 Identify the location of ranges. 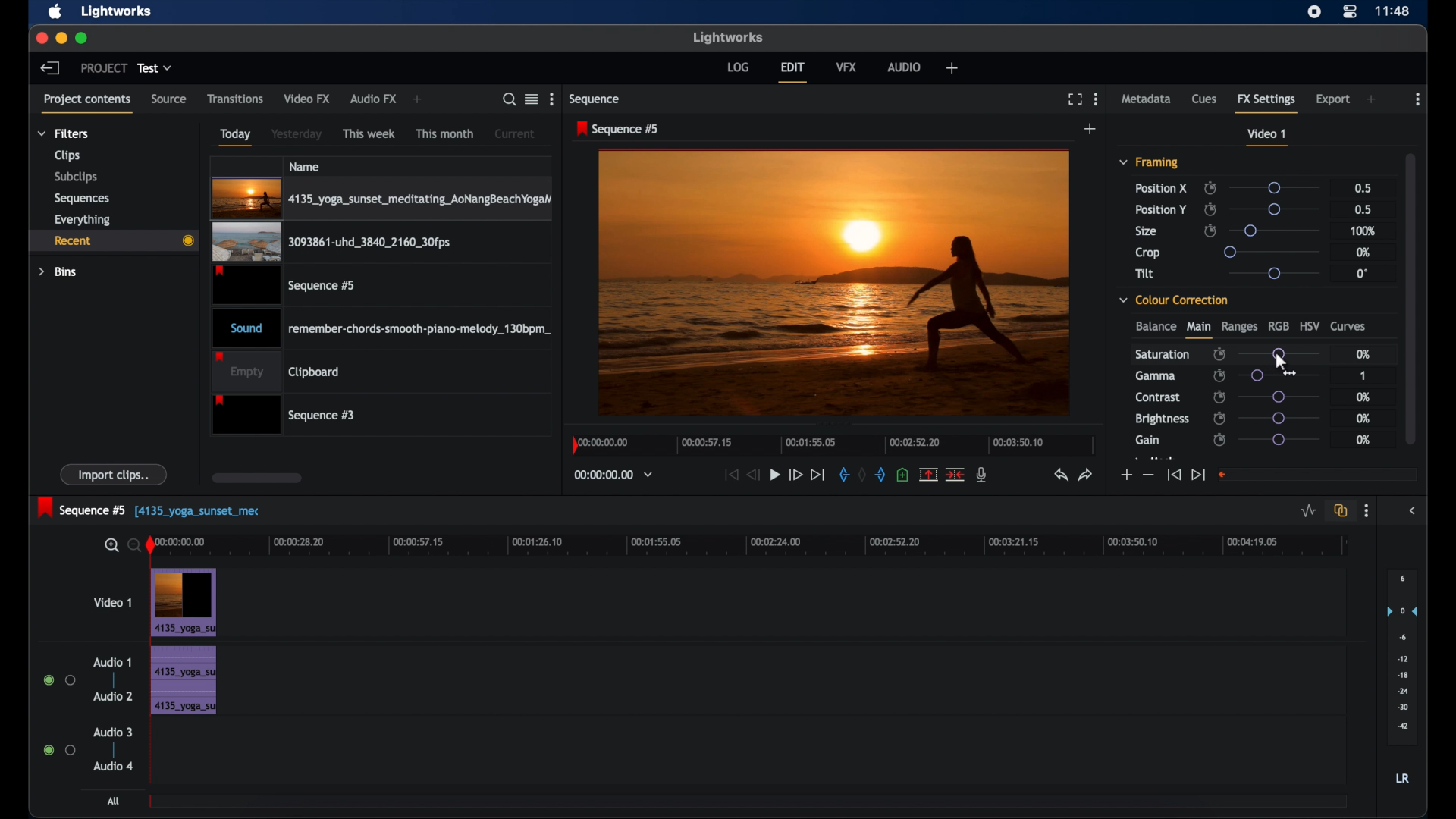
(1239, 327).